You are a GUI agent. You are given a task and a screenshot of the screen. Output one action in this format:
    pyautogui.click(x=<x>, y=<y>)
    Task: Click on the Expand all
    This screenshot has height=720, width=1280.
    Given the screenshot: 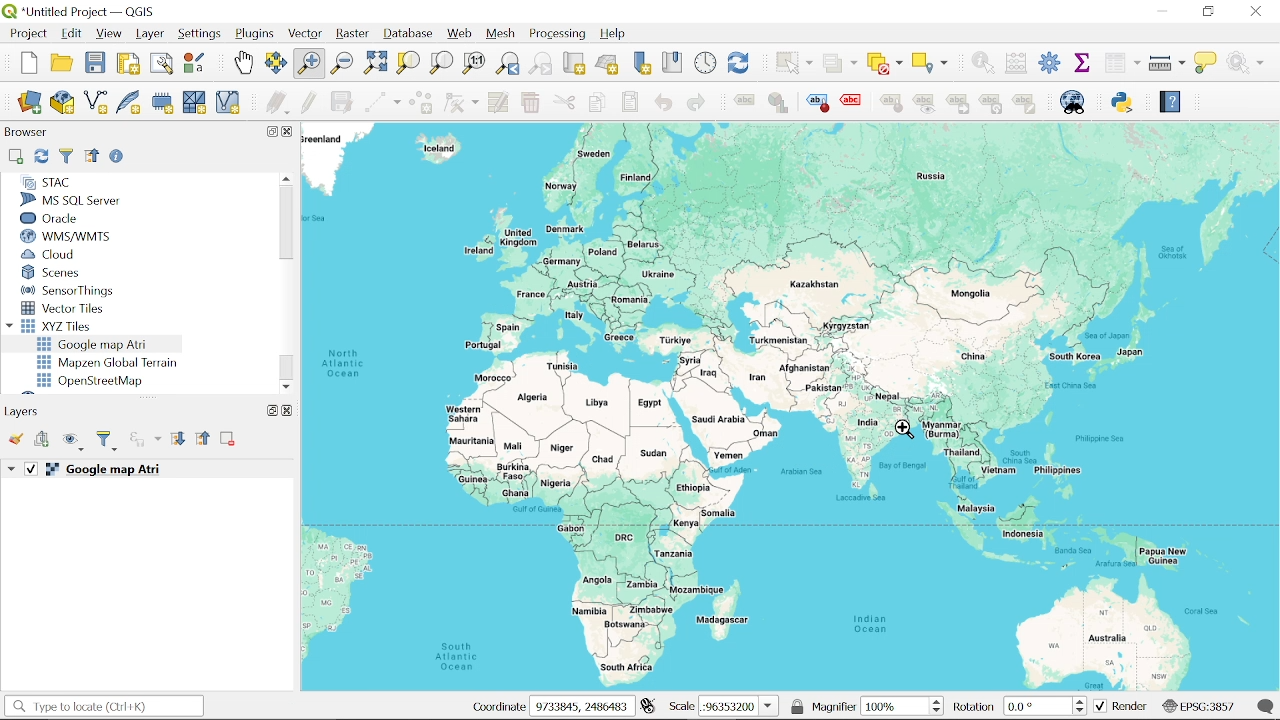 What is the action you would take?
    pyautogui.click(x=178, y=440)
    